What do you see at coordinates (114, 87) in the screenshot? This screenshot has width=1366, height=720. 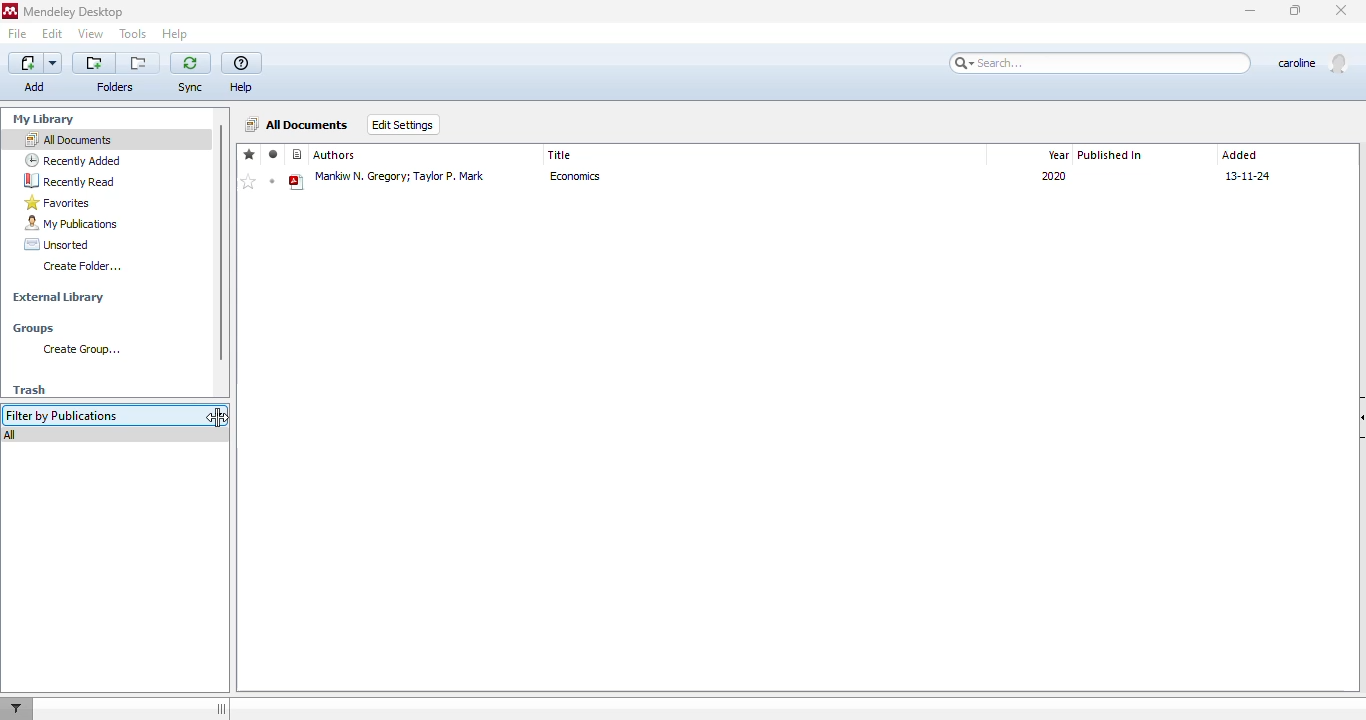 I see `folders` at bounding box center [114, 87].